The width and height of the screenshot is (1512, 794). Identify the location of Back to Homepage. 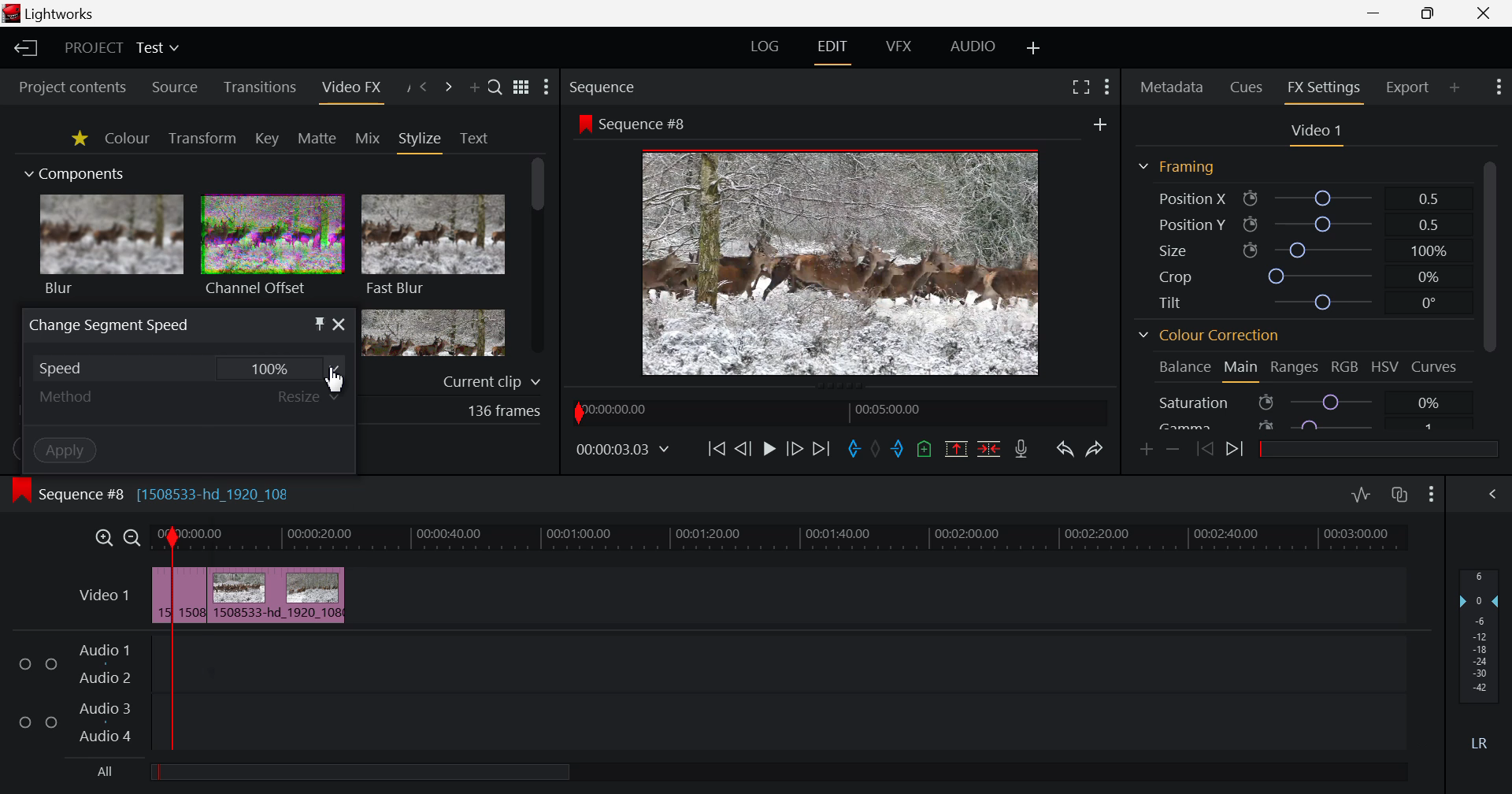
(25, 49).